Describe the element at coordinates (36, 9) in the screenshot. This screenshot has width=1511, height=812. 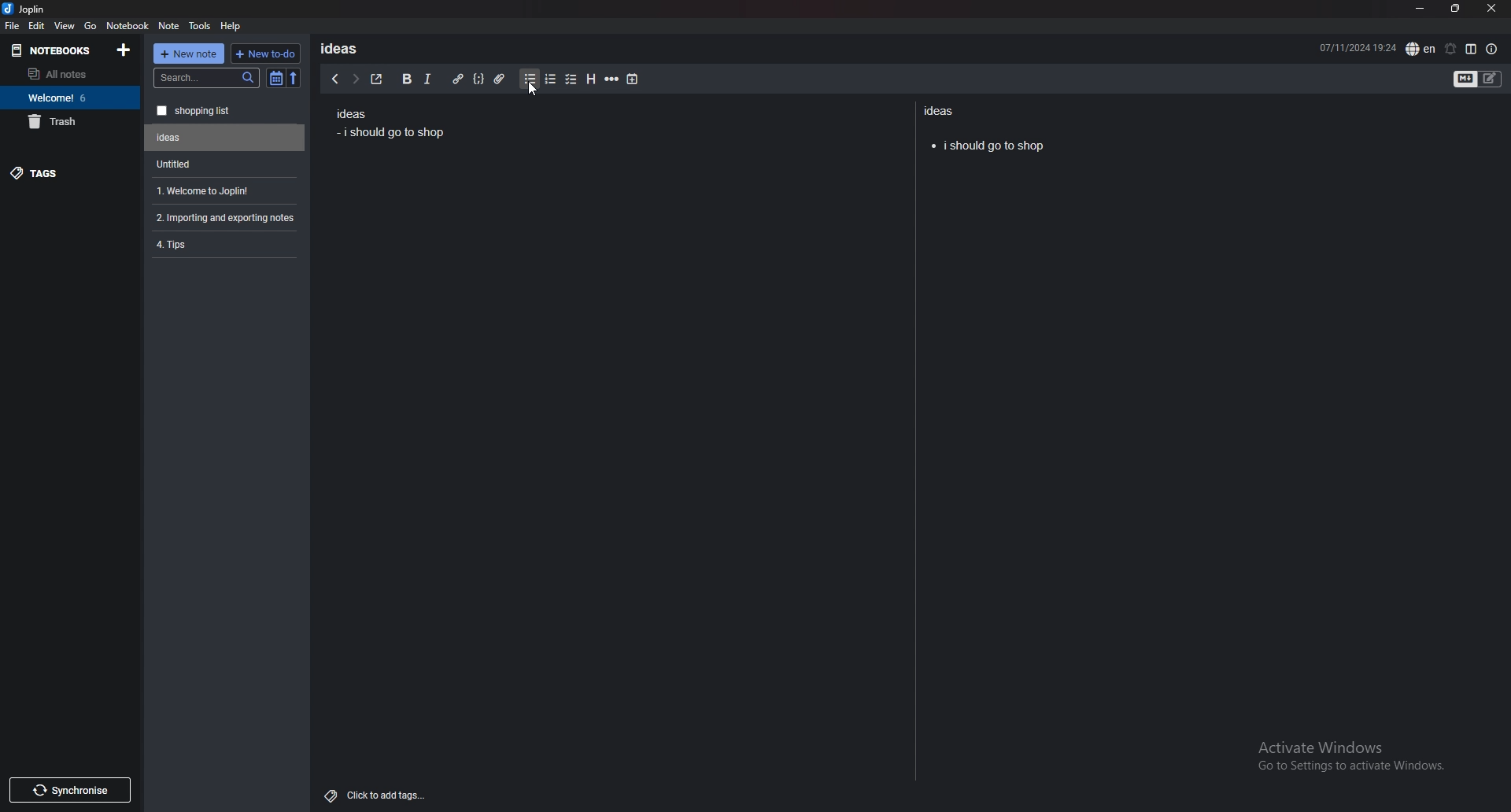
I see `Joplin` at that location.